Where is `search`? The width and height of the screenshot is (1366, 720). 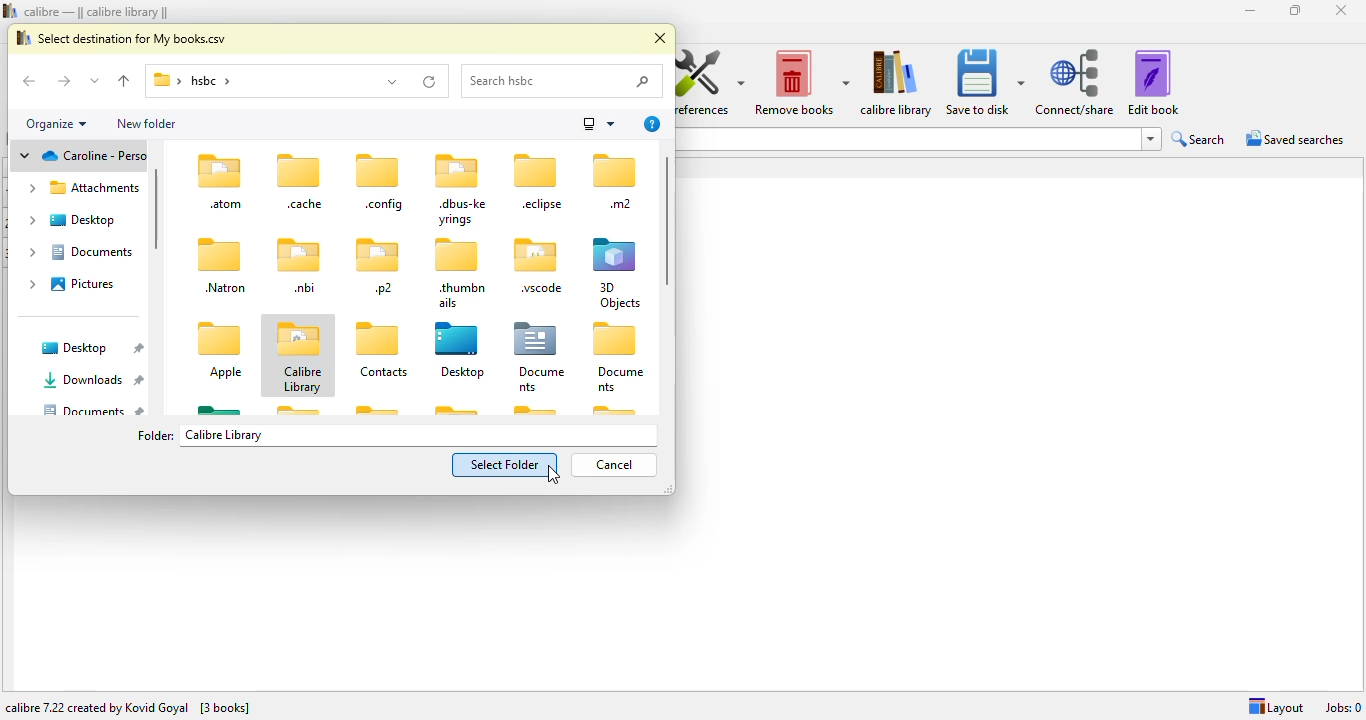
search is located at coordinates (1199, 139).